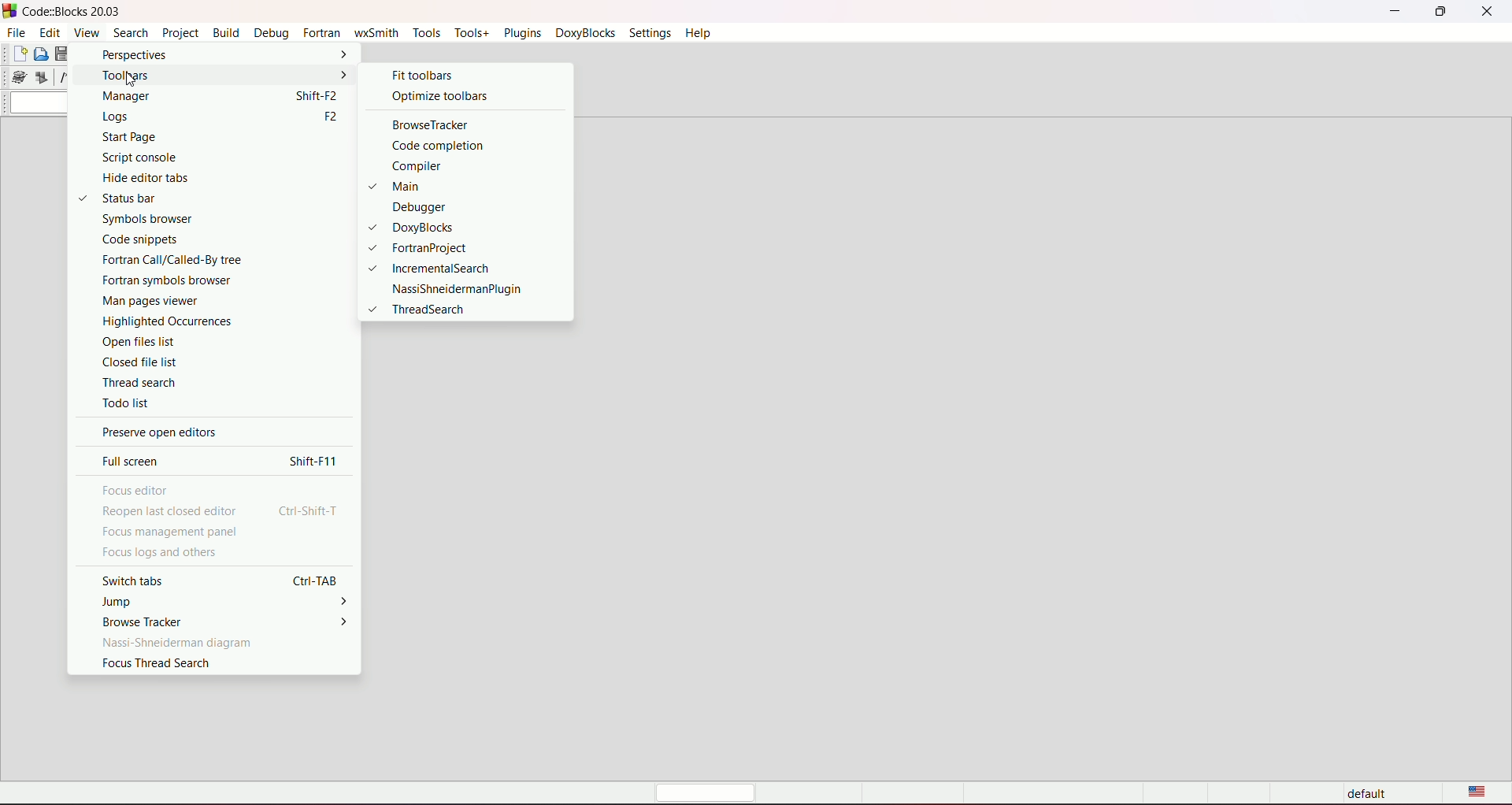 This screenshot has height=805, width=1512. What do you see at coordinates (196, 75) in the screenshot?
I see `toolbars` at bounding box center [196, 75].